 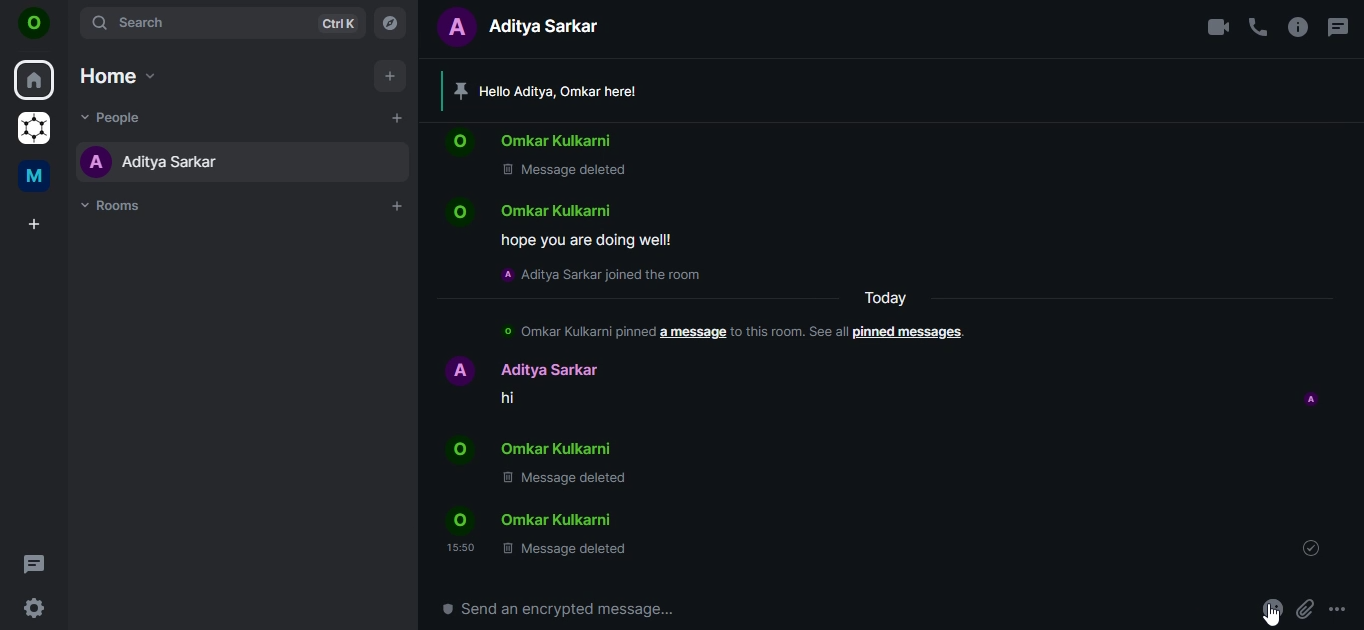 What do you see at coordinates (1341, 610) in the screenshot?
I see `more options` at bounding box center [1341, 610].